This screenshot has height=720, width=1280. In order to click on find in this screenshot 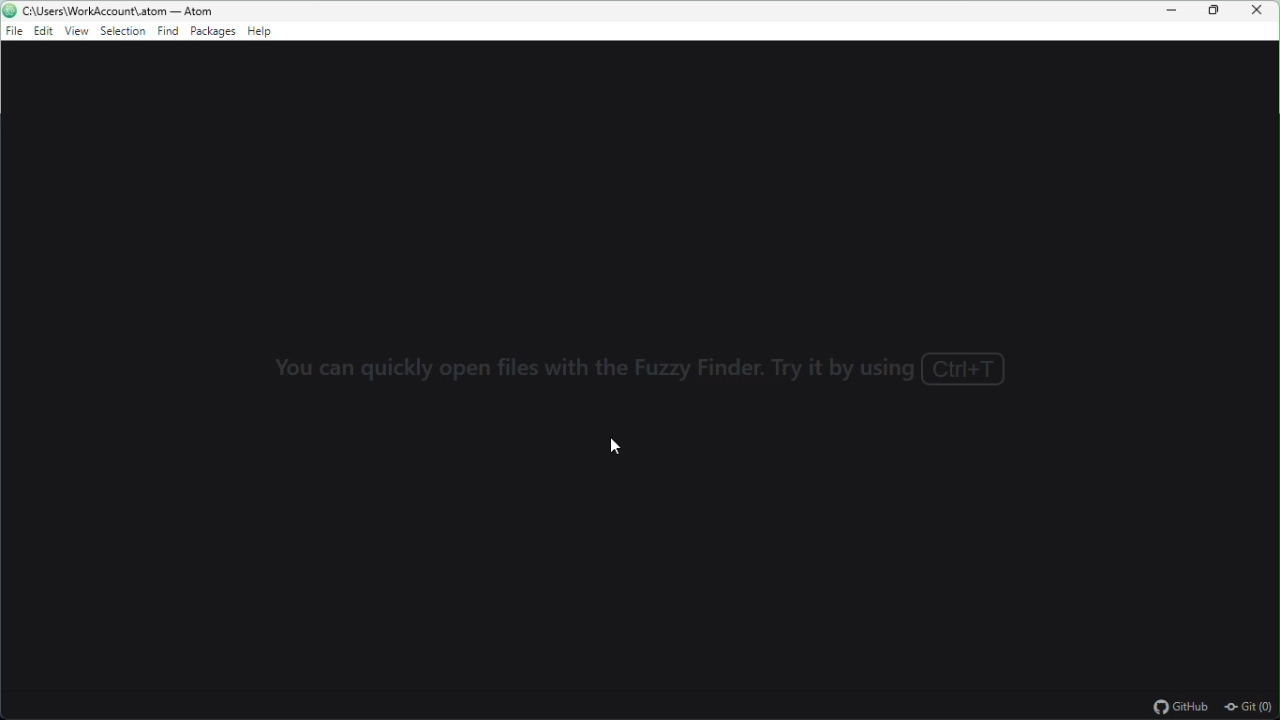, I will do `click(166, 34)`.